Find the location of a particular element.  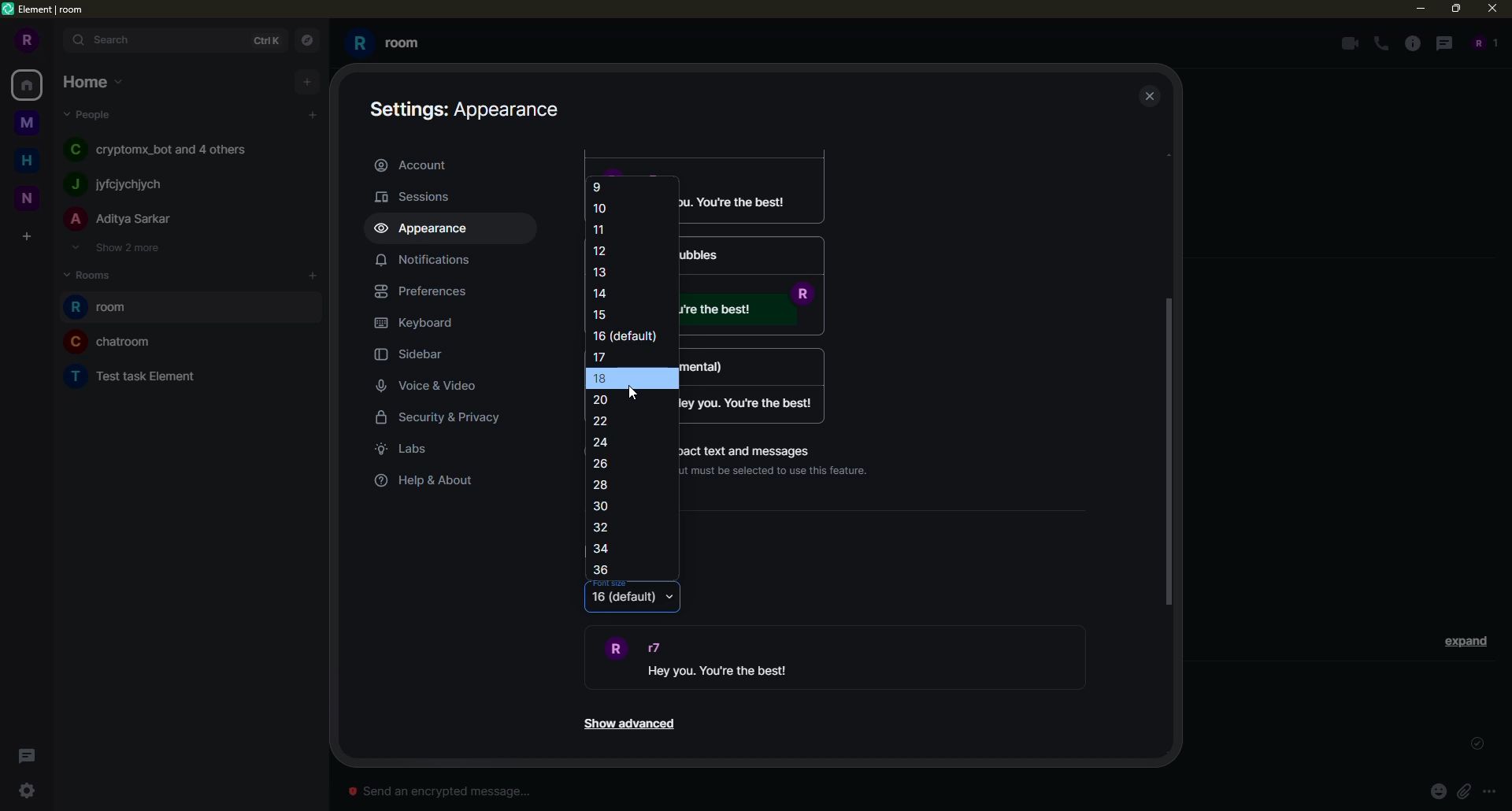

add is located at coordinates (313, 115).